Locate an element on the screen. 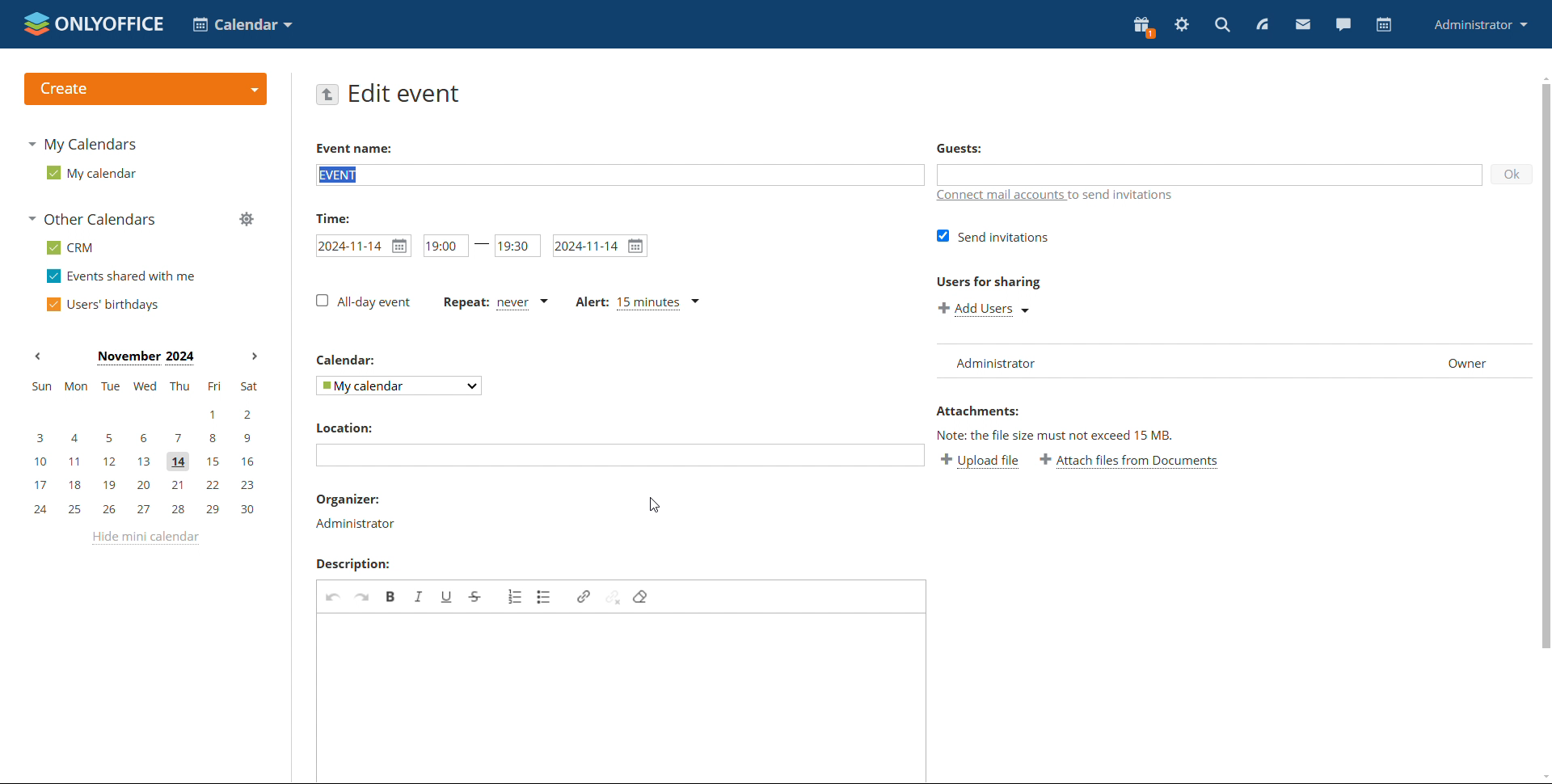 Image resolution: width=1552 pixels, height=784 pixels. users' birthdays is located at coordinates (101, 306).